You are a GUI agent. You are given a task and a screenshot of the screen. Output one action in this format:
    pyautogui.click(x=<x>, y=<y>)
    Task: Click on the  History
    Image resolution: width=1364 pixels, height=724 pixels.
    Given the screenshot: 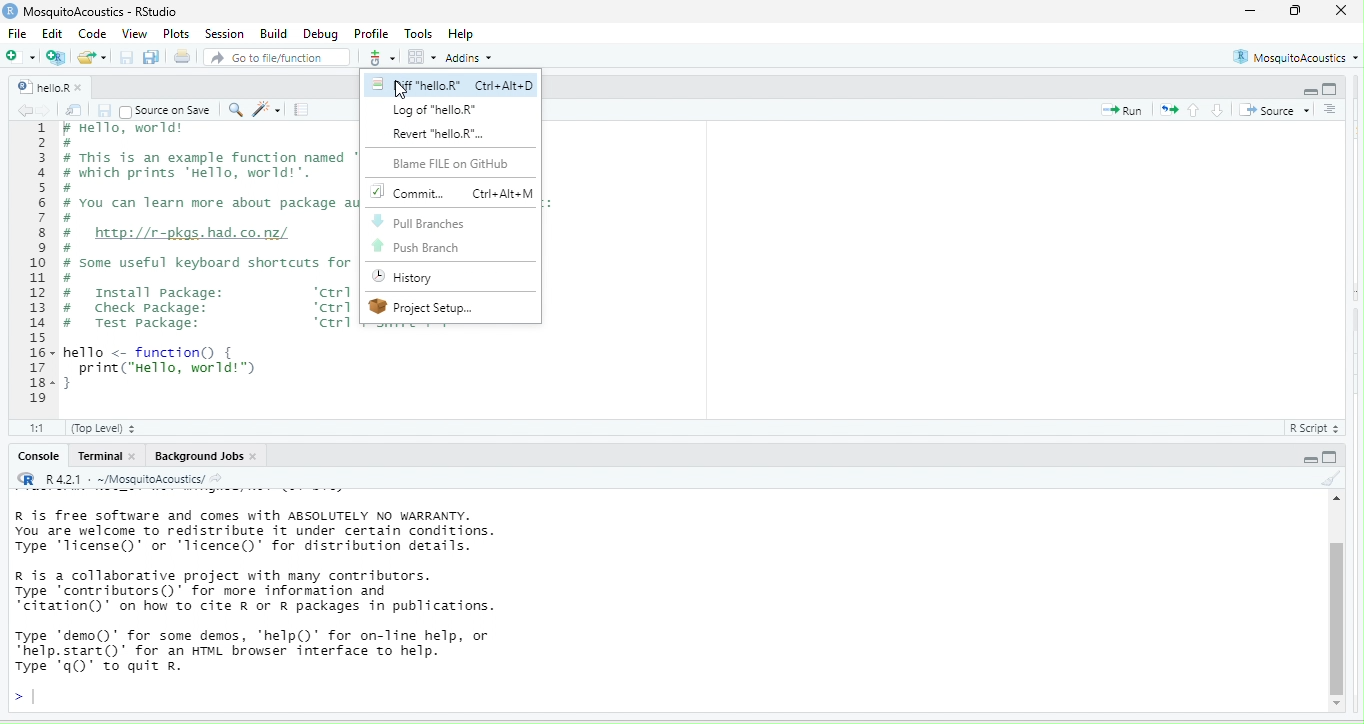 What is the action you would take?
    pyautogui.click(x=411, y=278)
    